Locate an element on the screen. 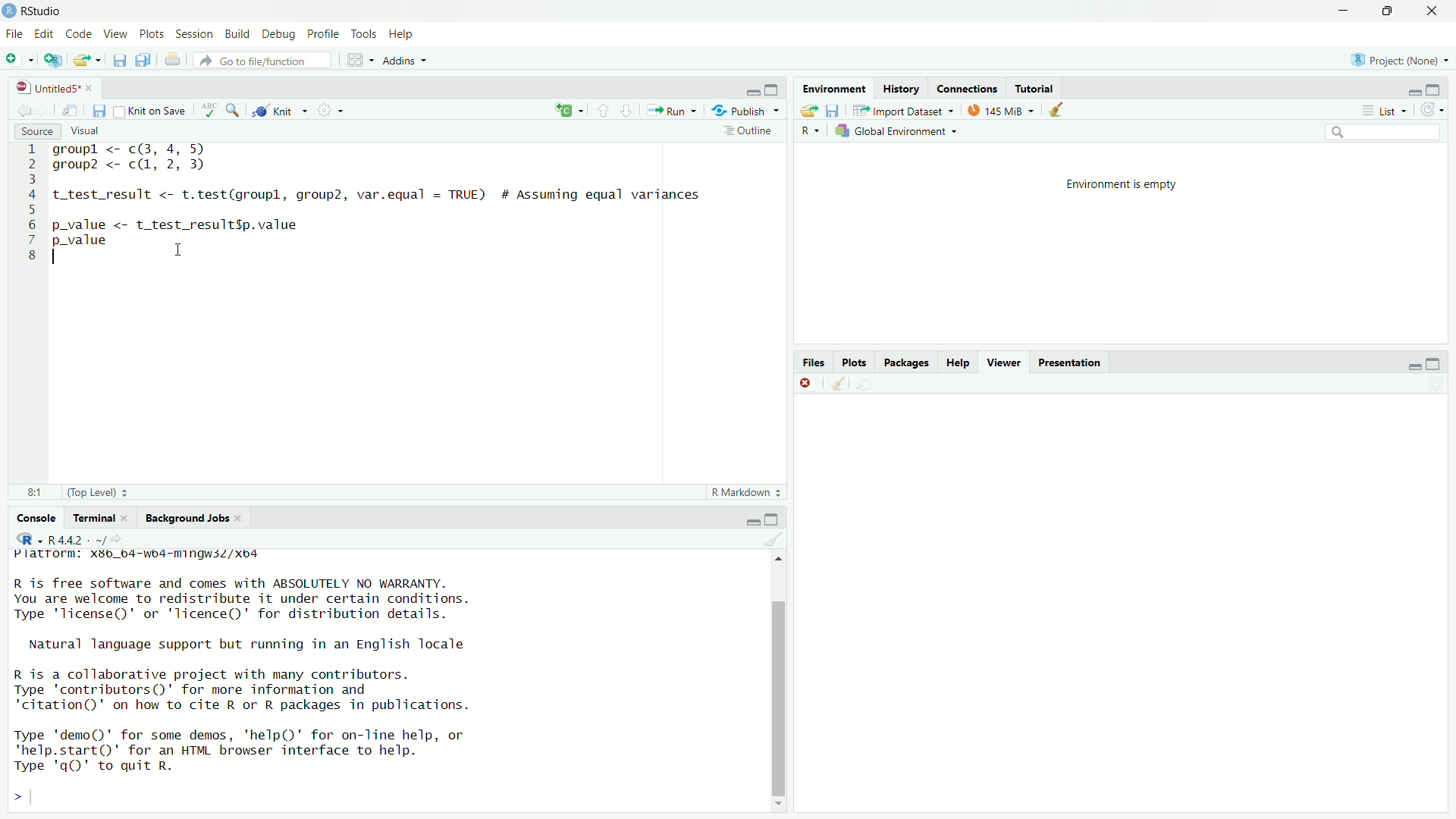  search is located at coordinates (1379, 132).